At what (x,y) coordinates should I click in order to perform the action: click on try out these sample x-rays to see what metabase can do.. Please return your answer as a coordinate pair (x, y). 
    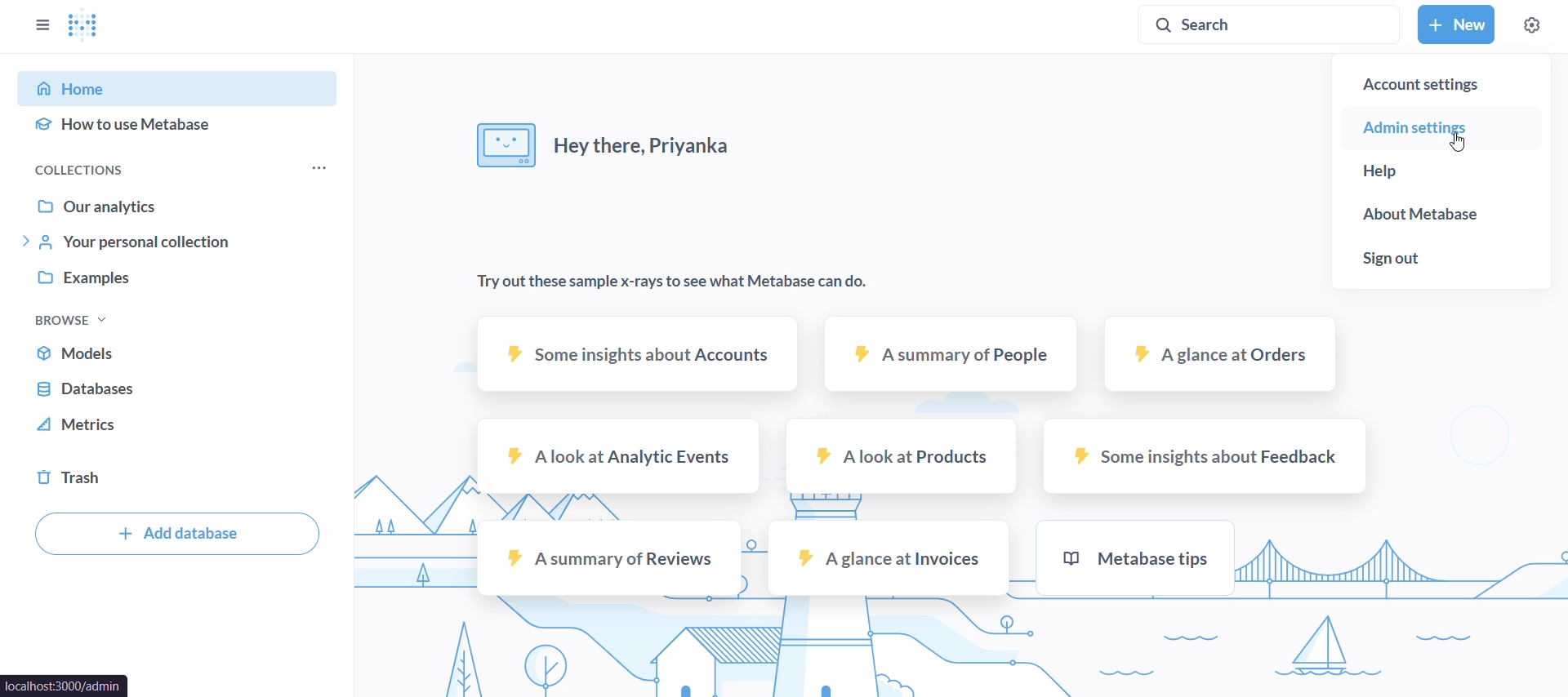
    Looking at the image, I should click on (668, 282).